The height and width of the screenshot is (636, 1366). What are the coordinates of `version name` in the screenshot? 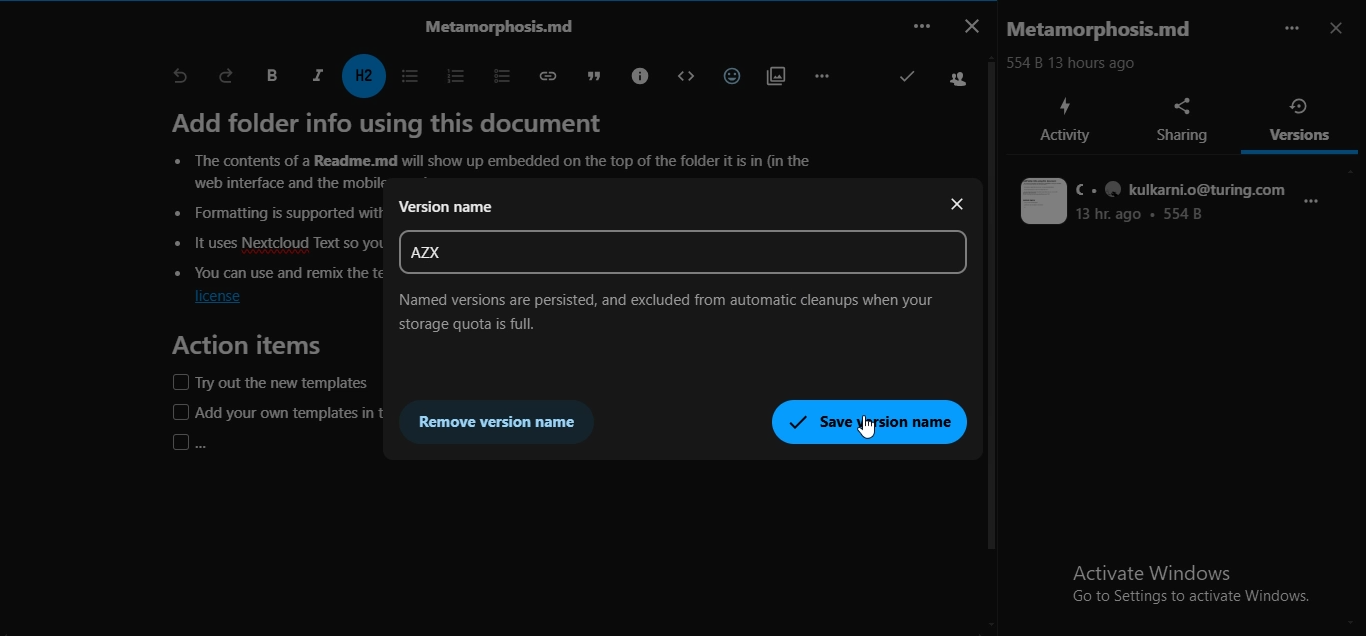 It's located at (447, 208).